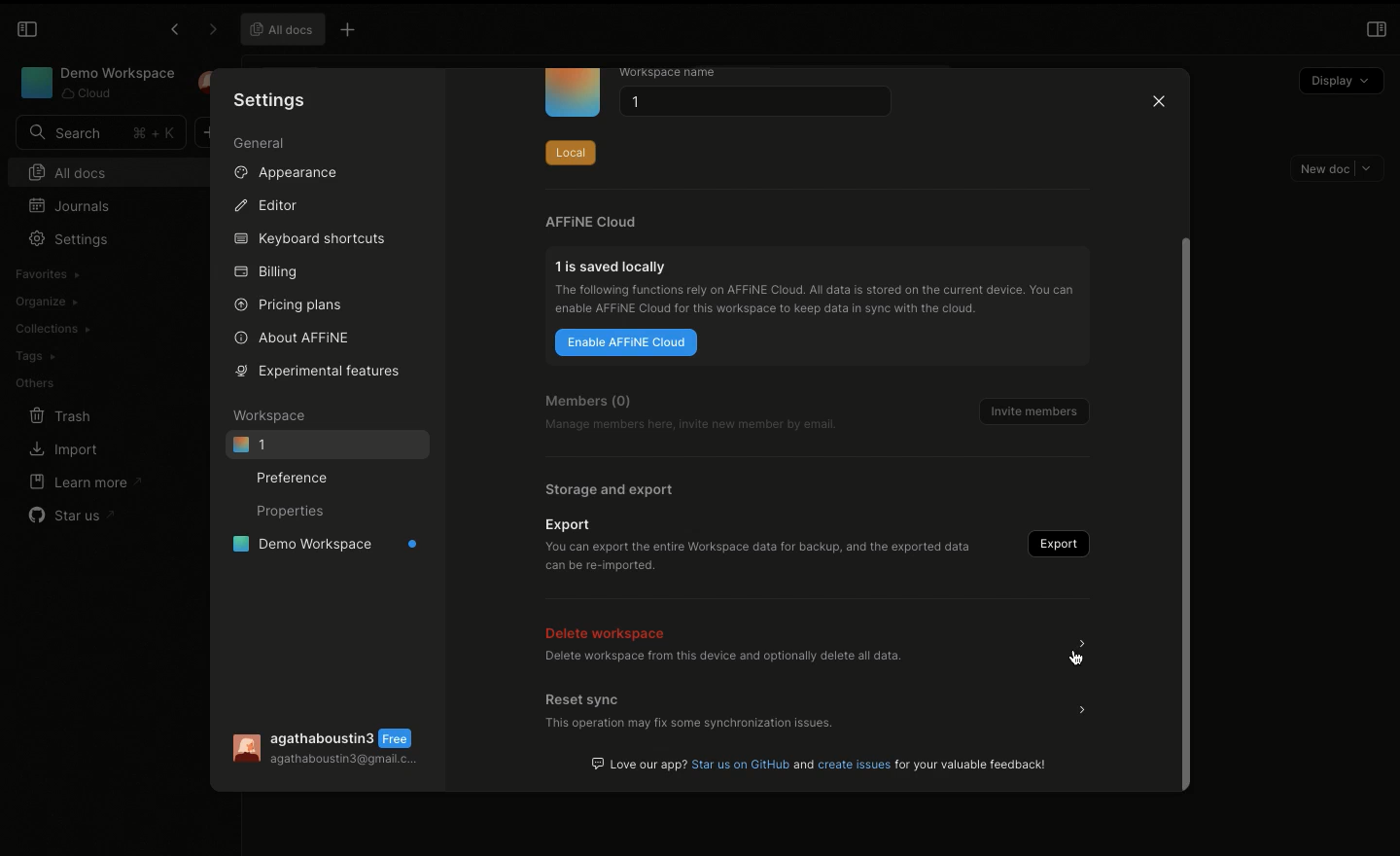 Image resolution: width=1400 pixels, height=856 pixels. I want to click on Delete workspace from this device and optionally delete all data., so click(722, 659).